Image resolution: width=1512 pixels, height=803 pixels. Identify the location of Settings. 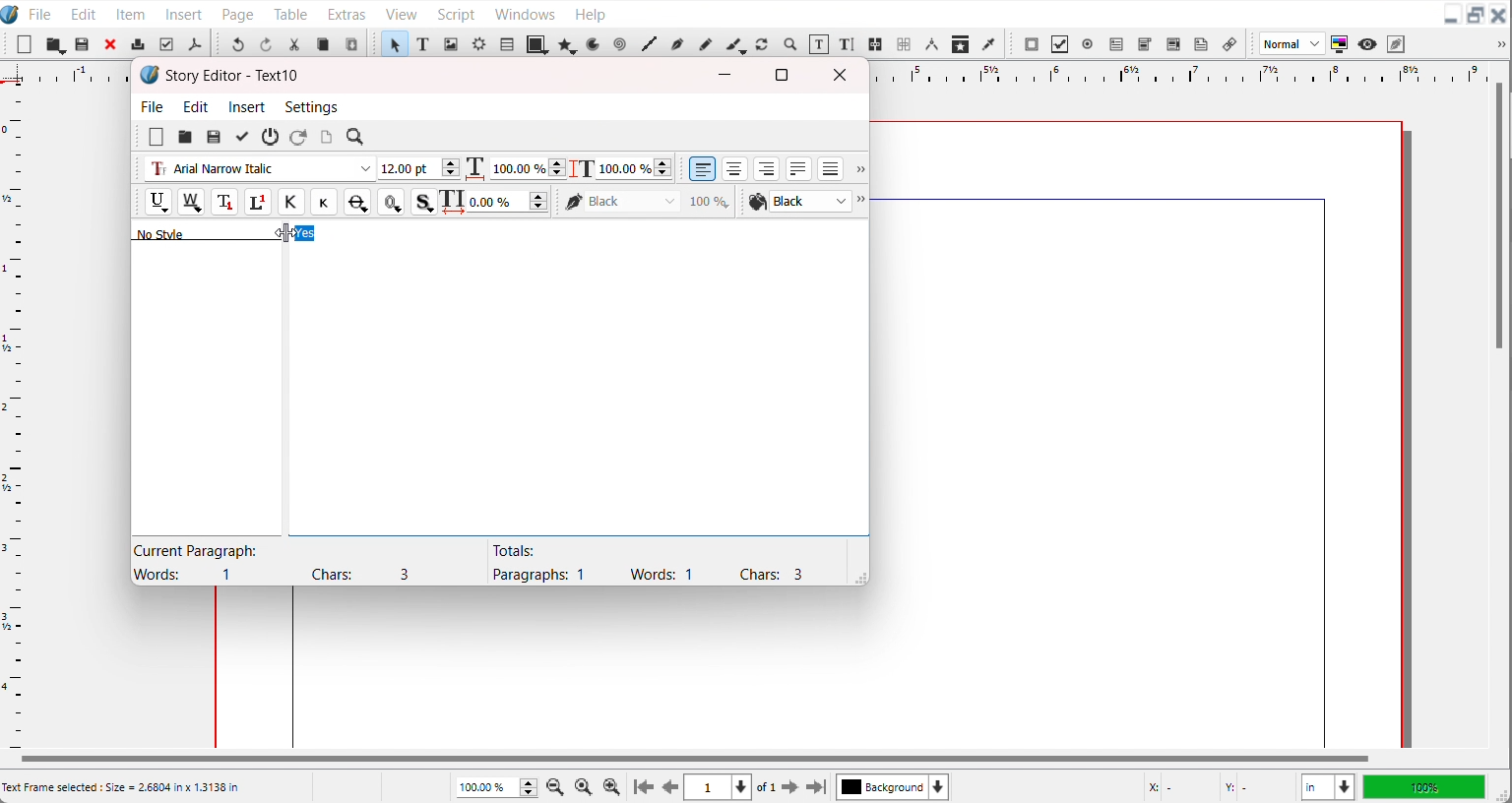
(311, 106).